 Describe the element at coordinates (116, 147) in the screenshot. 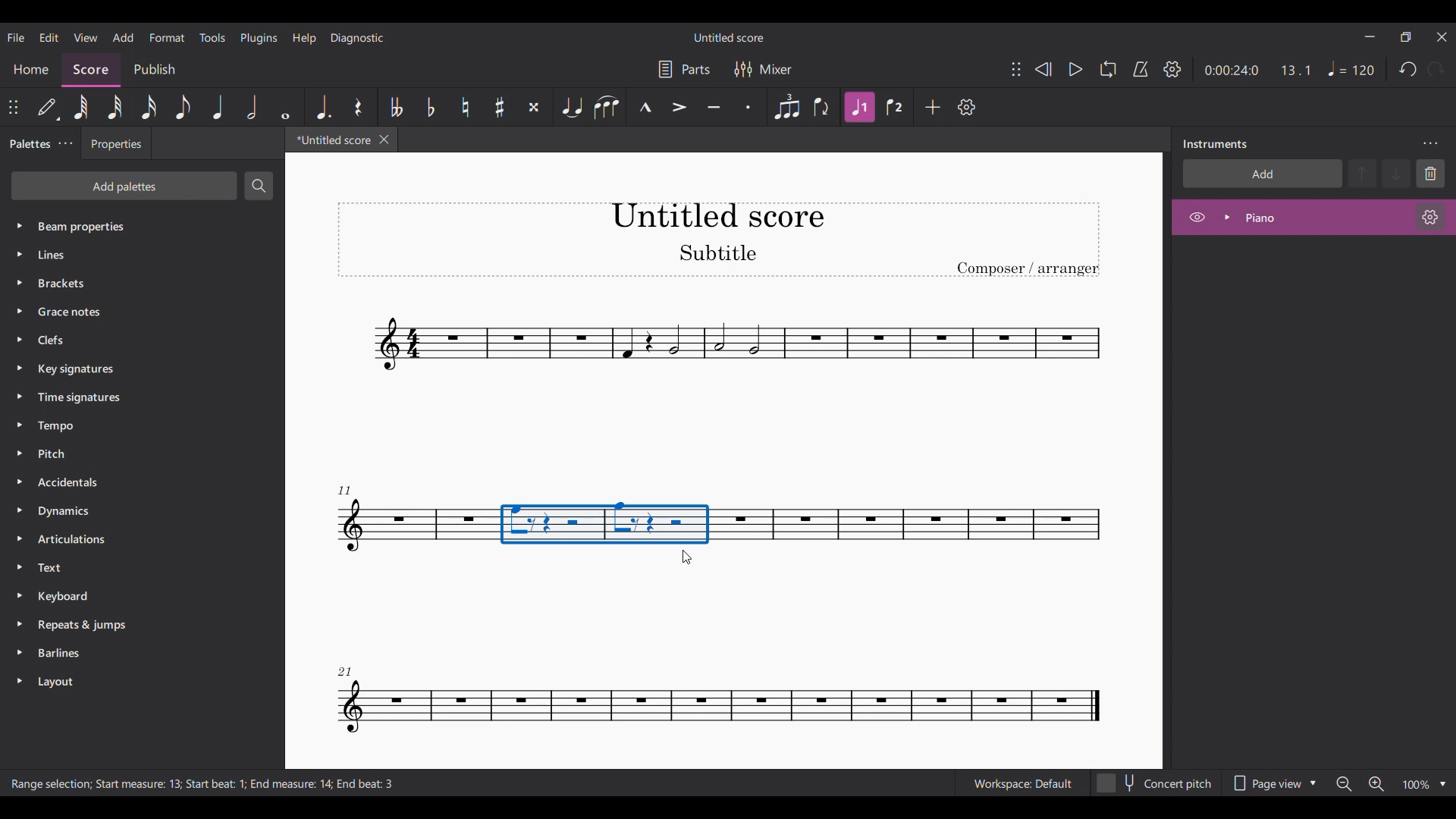

I see `Properties panel` at that location.